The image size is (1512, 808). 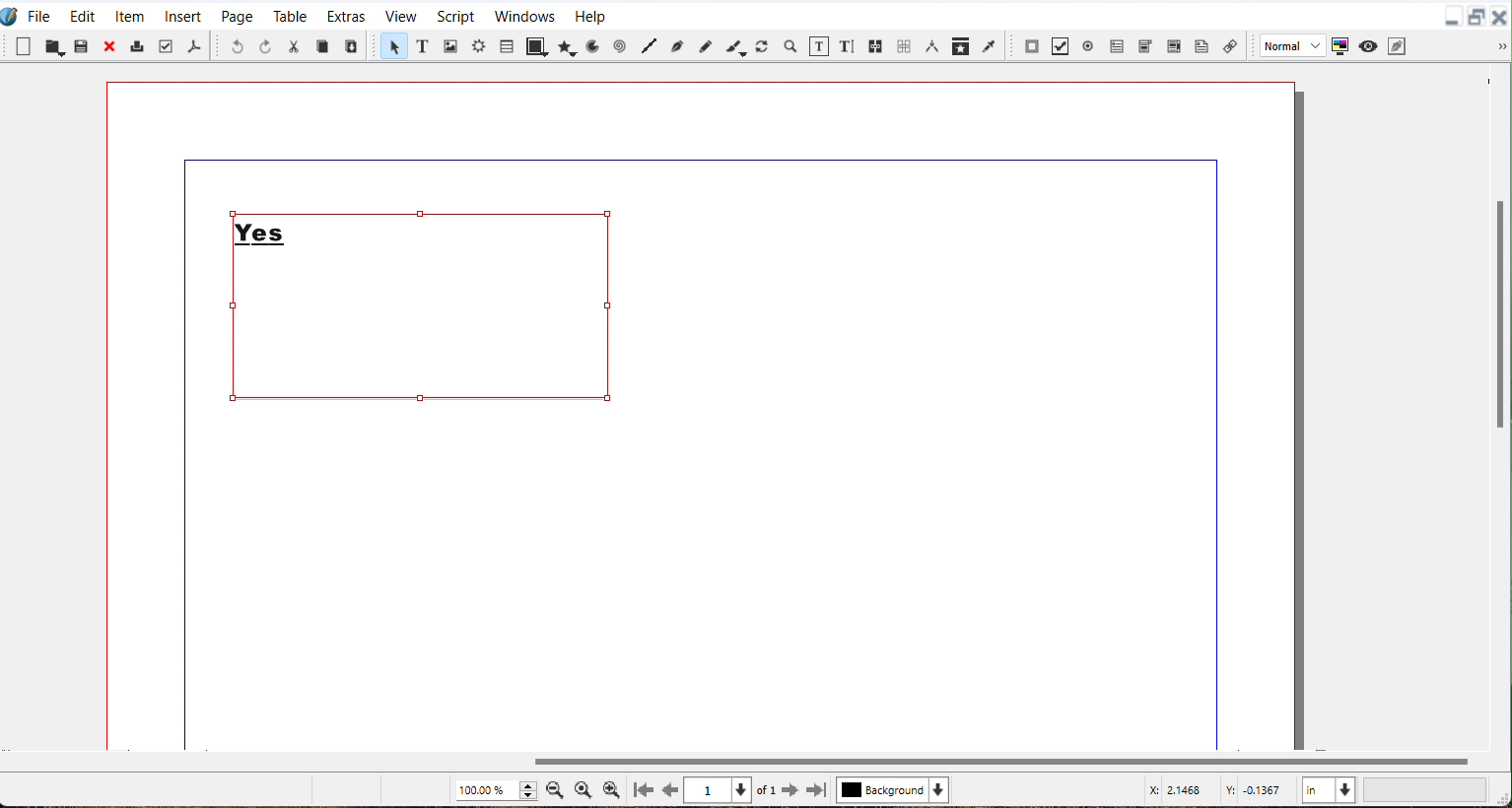 I want to click on Vertical scroll bar, so click(x=1496, y=406).